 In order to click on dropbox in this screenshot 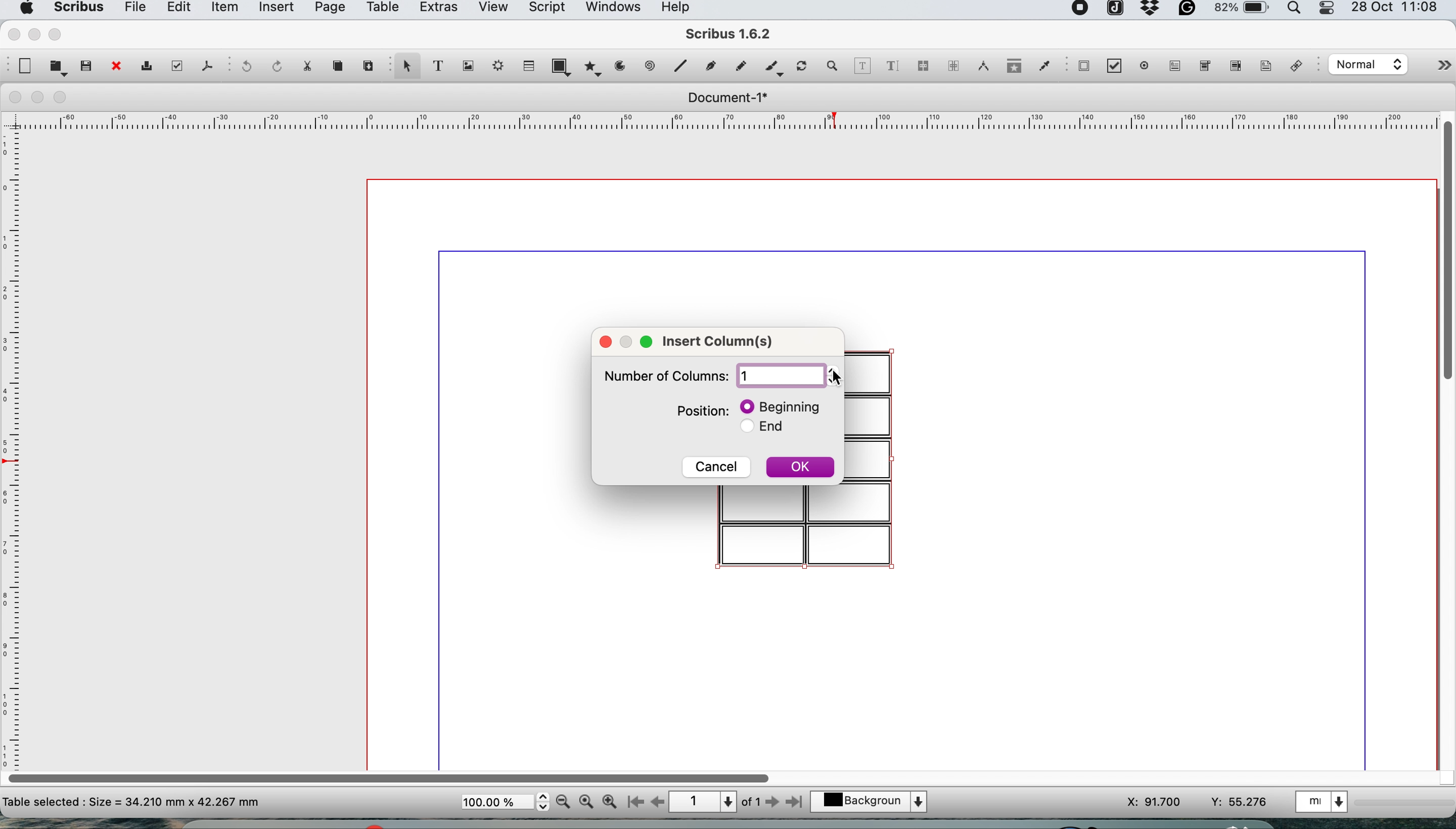, I will do `click(1151, 13)`.